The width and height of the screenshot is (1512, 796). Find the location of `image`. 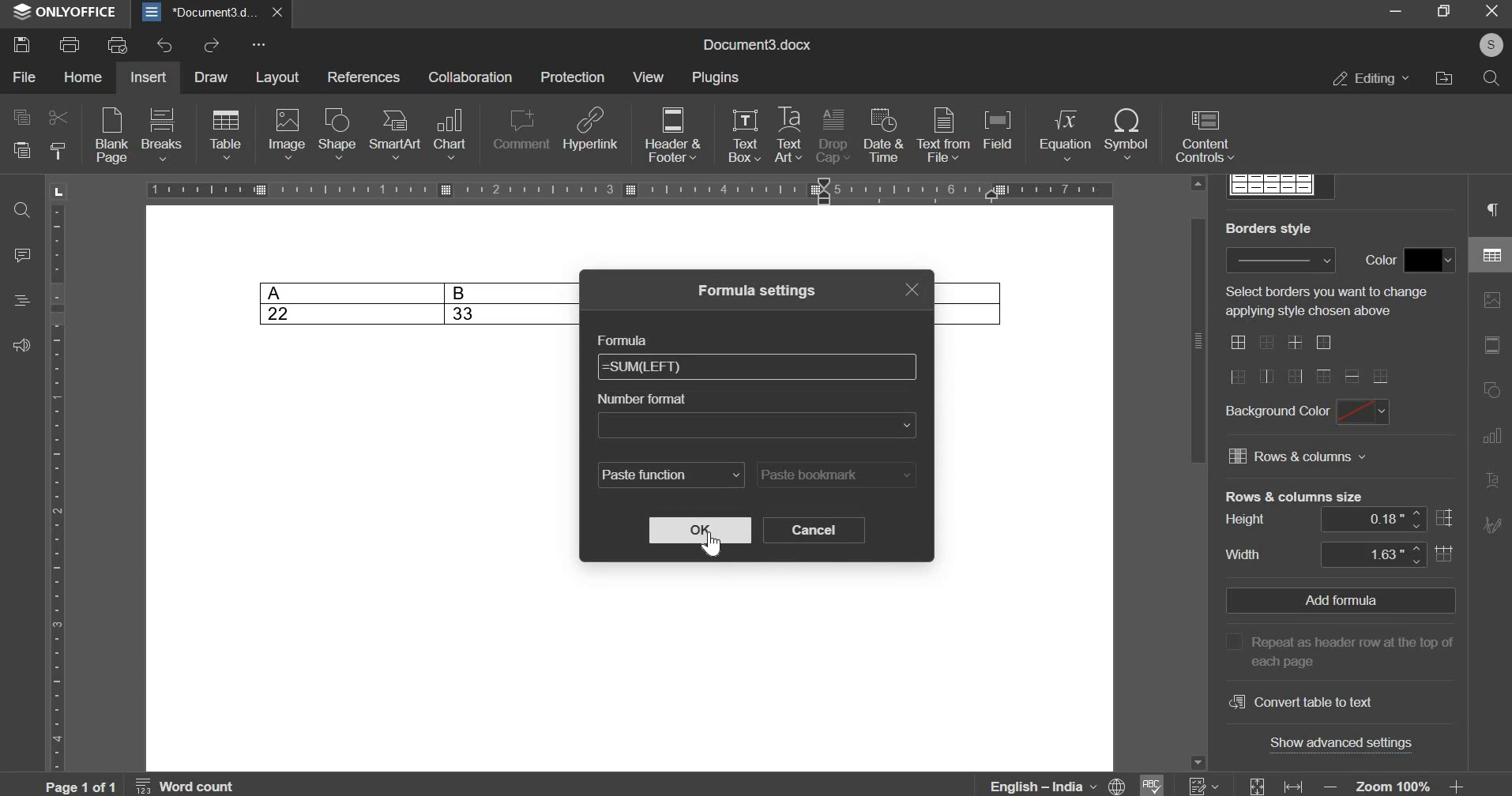

image is located at coordinates (287, 134).